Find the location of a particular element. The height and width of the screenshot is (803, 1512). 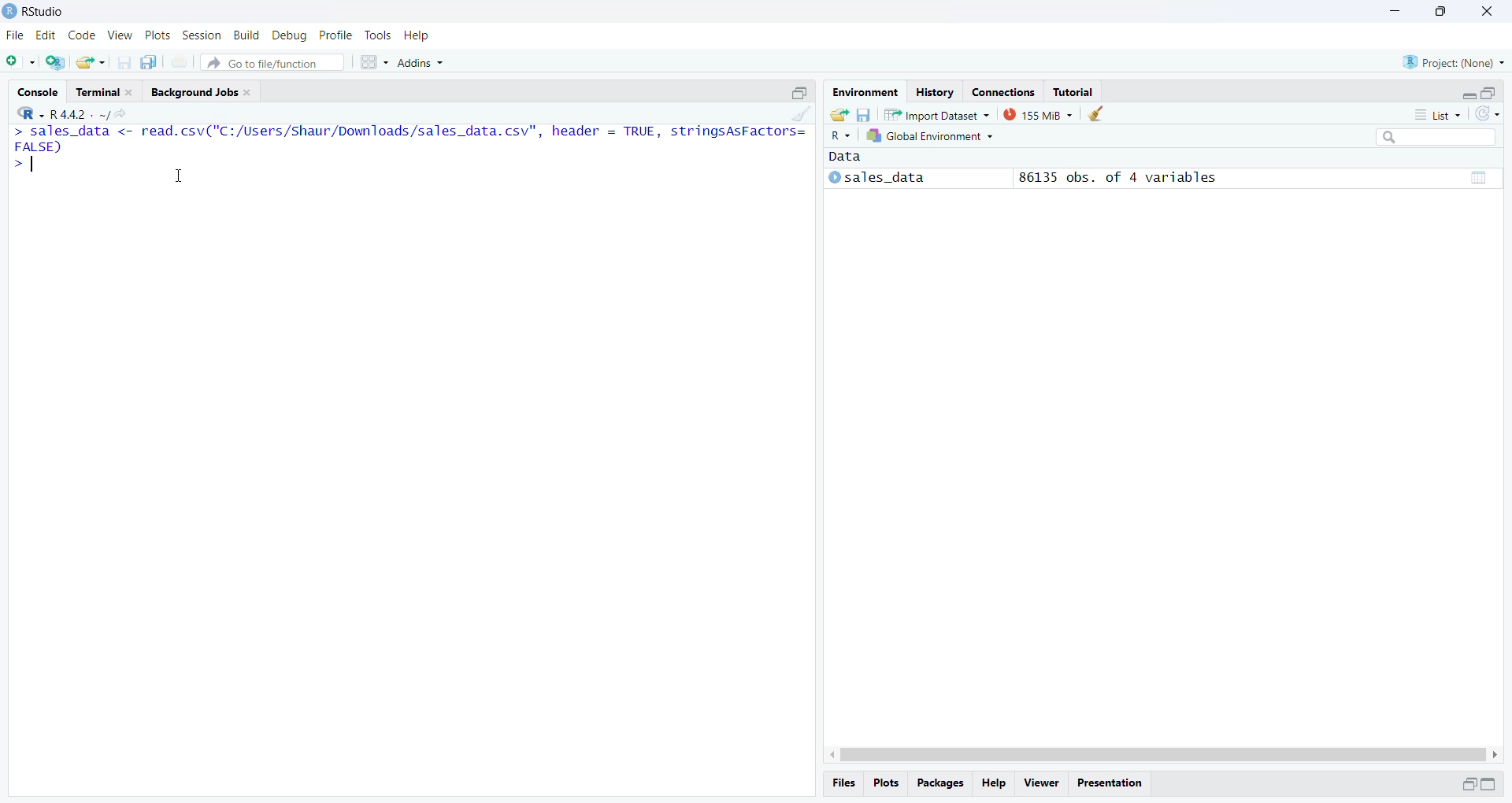

Debug is located at coordinates (290, 37).